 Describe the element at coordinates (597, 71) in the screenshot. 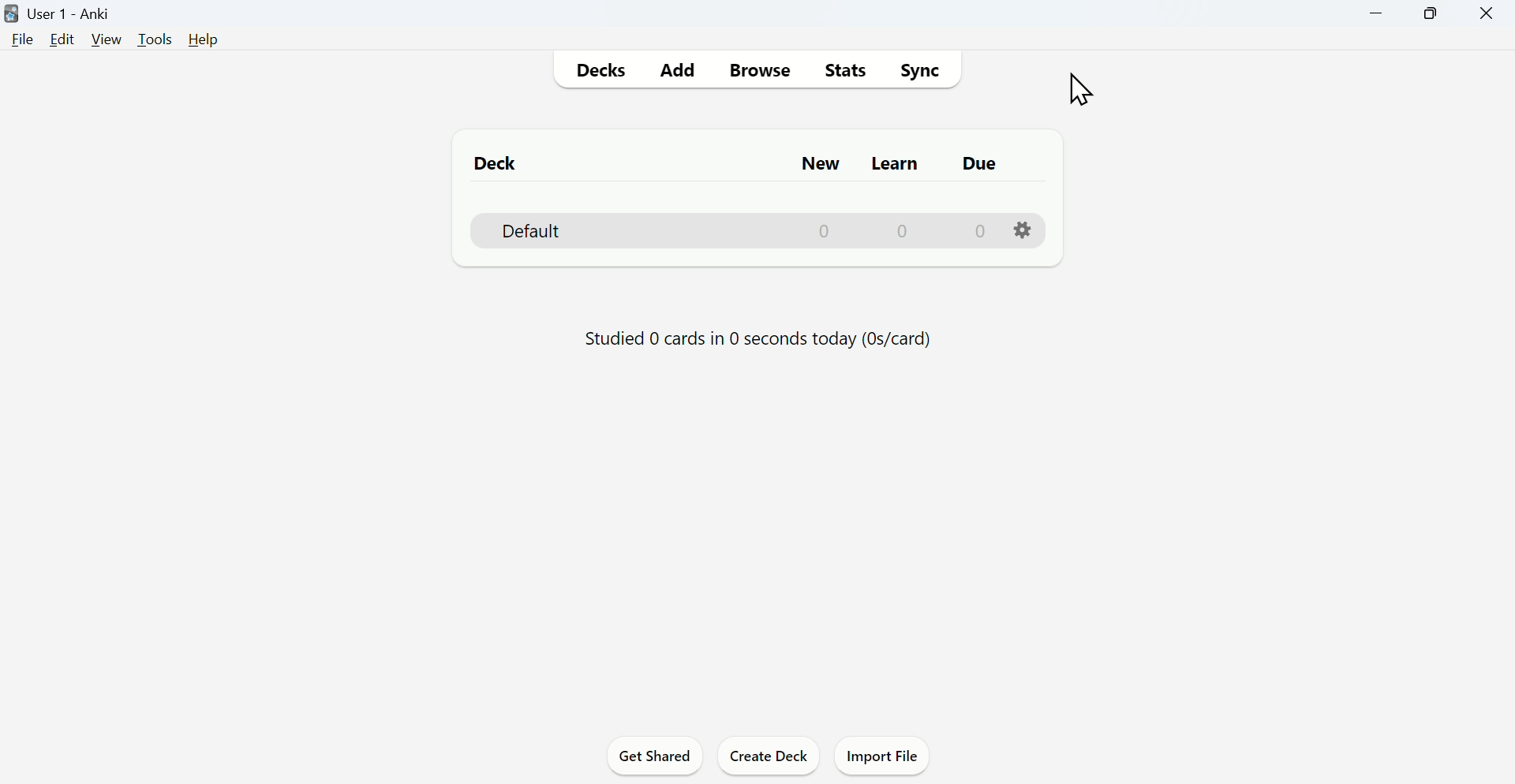

I see `Decks` at that location.